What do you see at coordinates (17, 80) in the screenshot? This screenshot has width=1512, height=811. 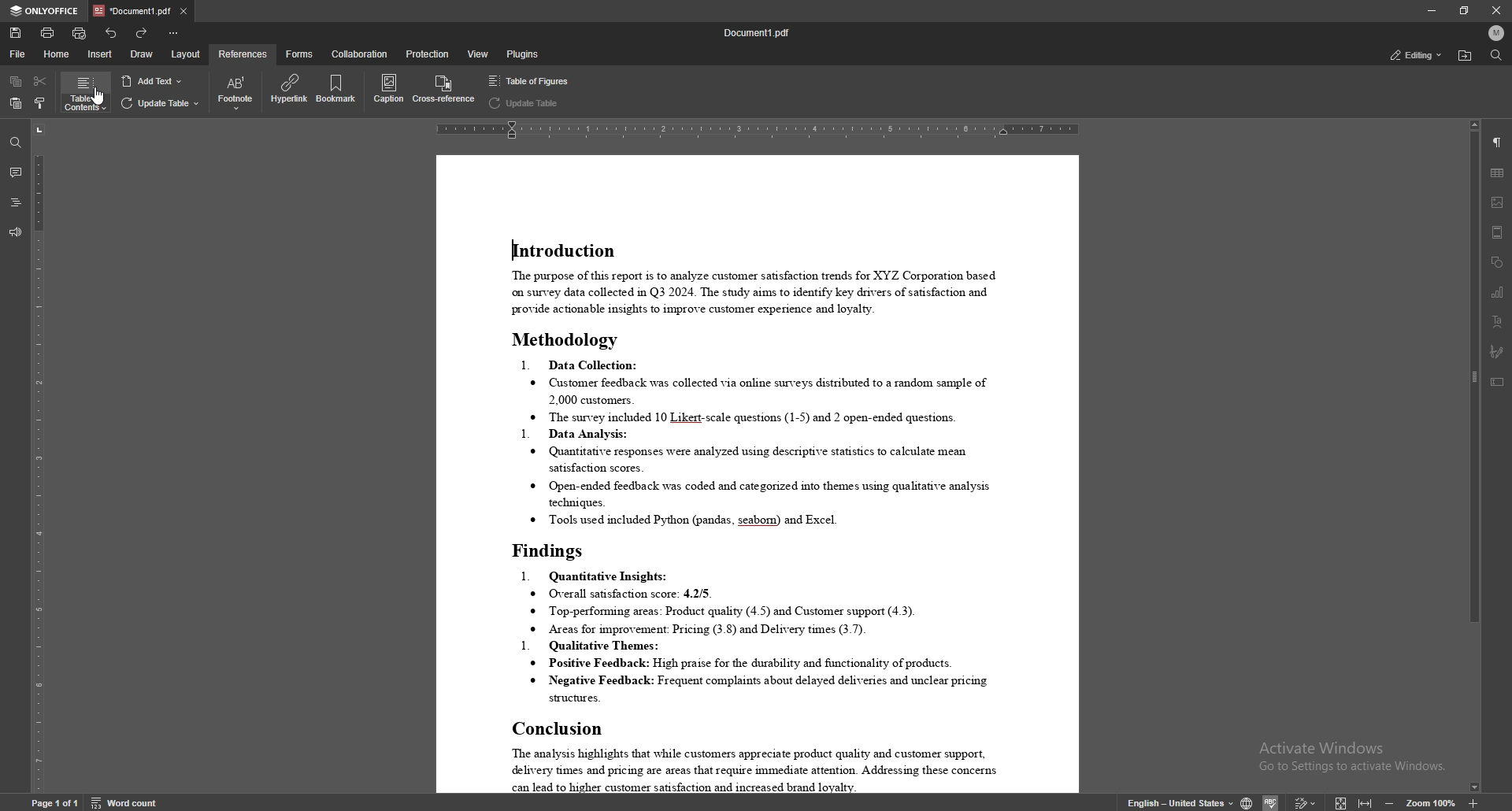 I see `copy` at bounding box center [17, 80].